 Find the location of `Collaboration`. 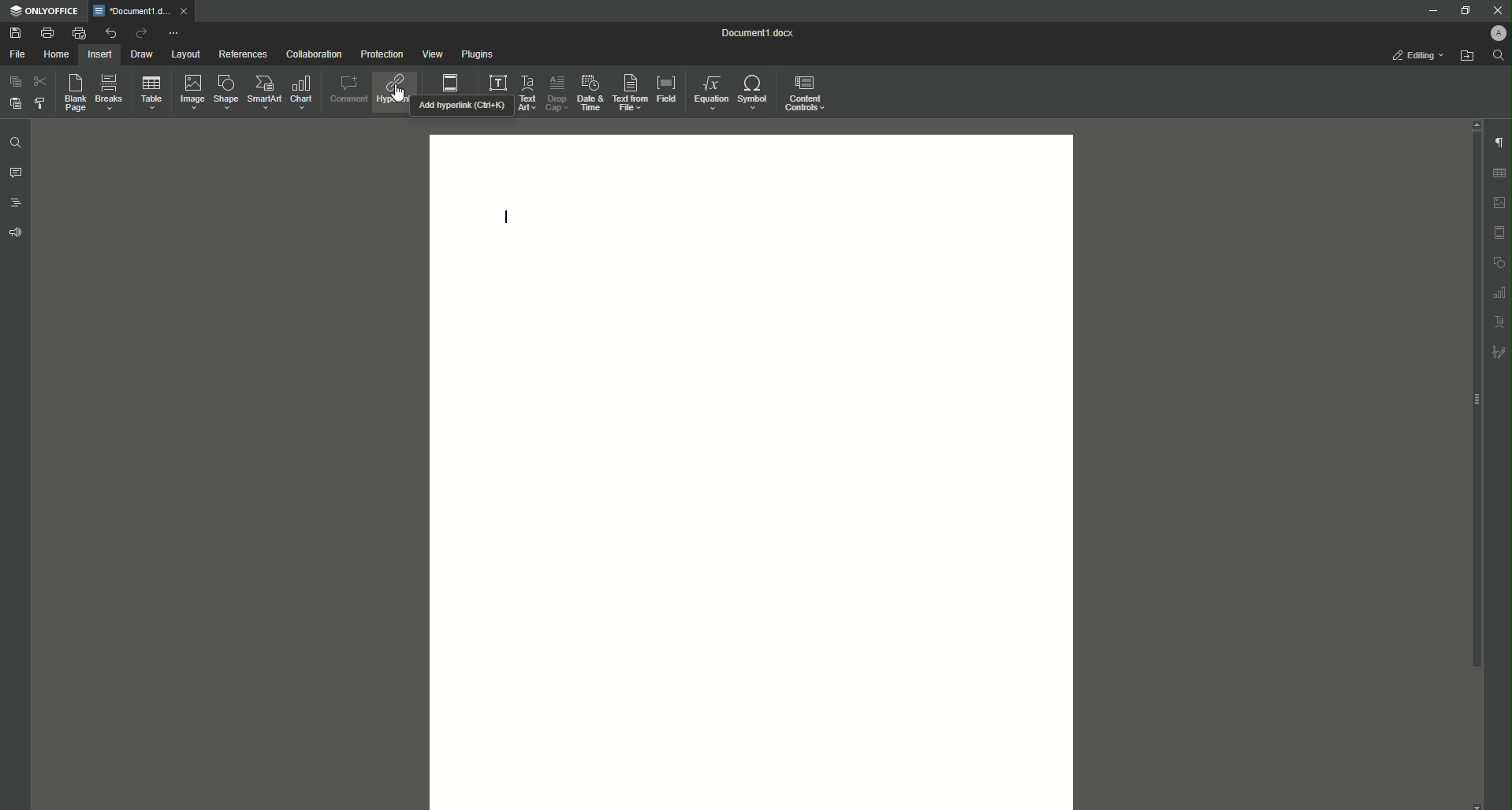

Collaboration is located at coordinates (314, 54).